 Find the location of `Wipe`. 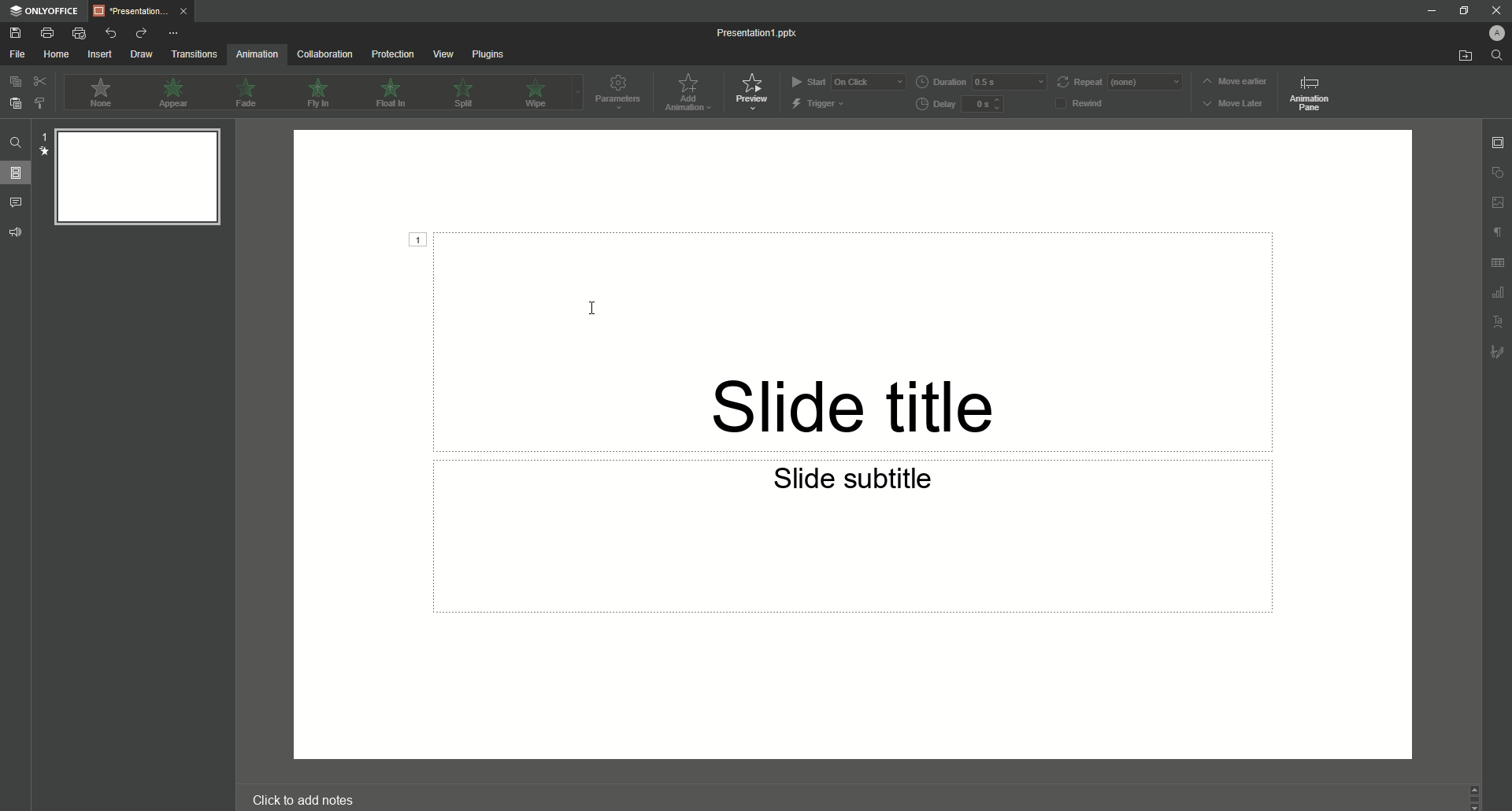

Wipe is located at coordinates (535, 93).